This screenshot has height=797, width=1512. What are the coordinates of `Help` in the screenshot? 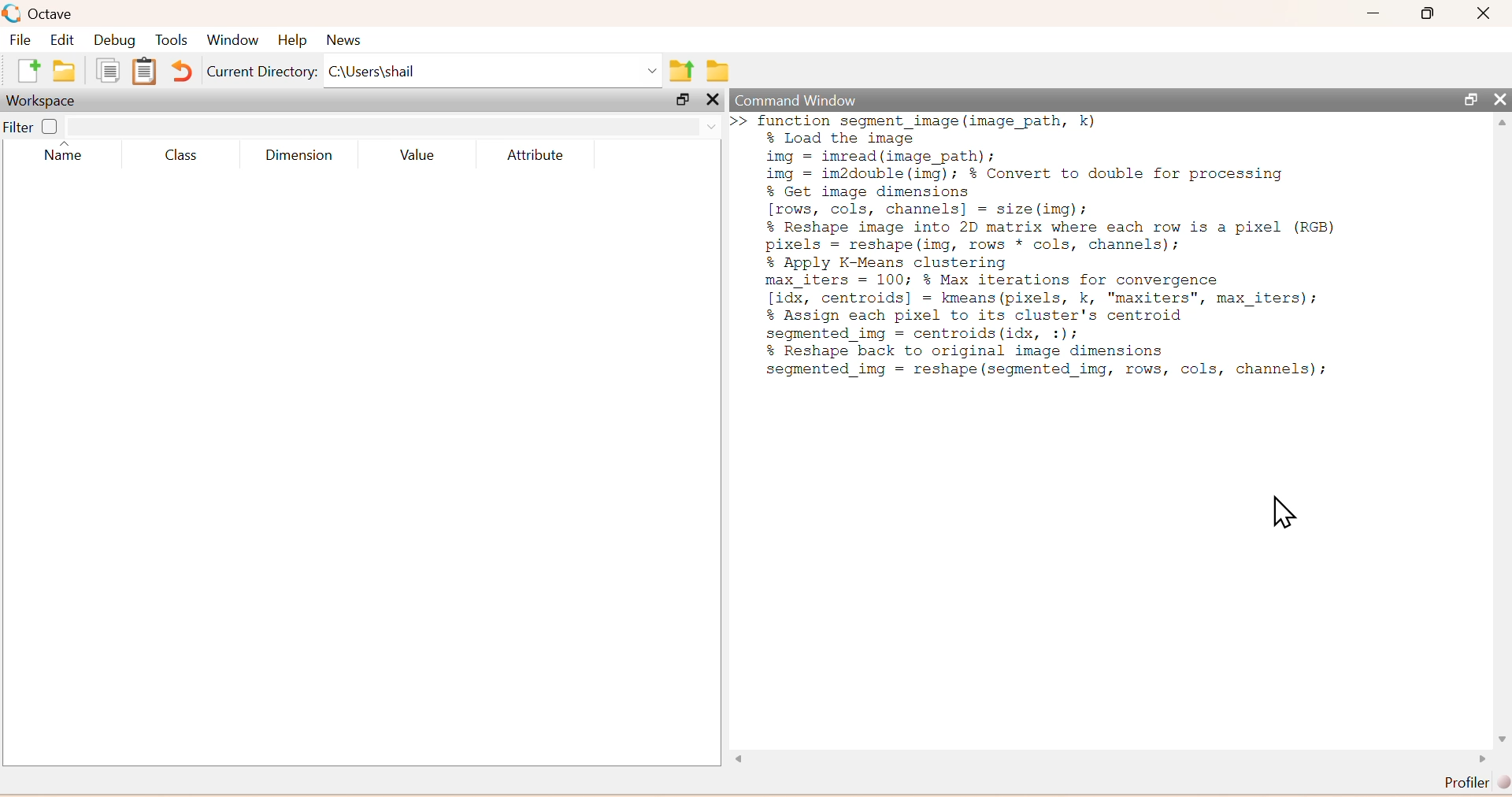 It's located at (291, 42).